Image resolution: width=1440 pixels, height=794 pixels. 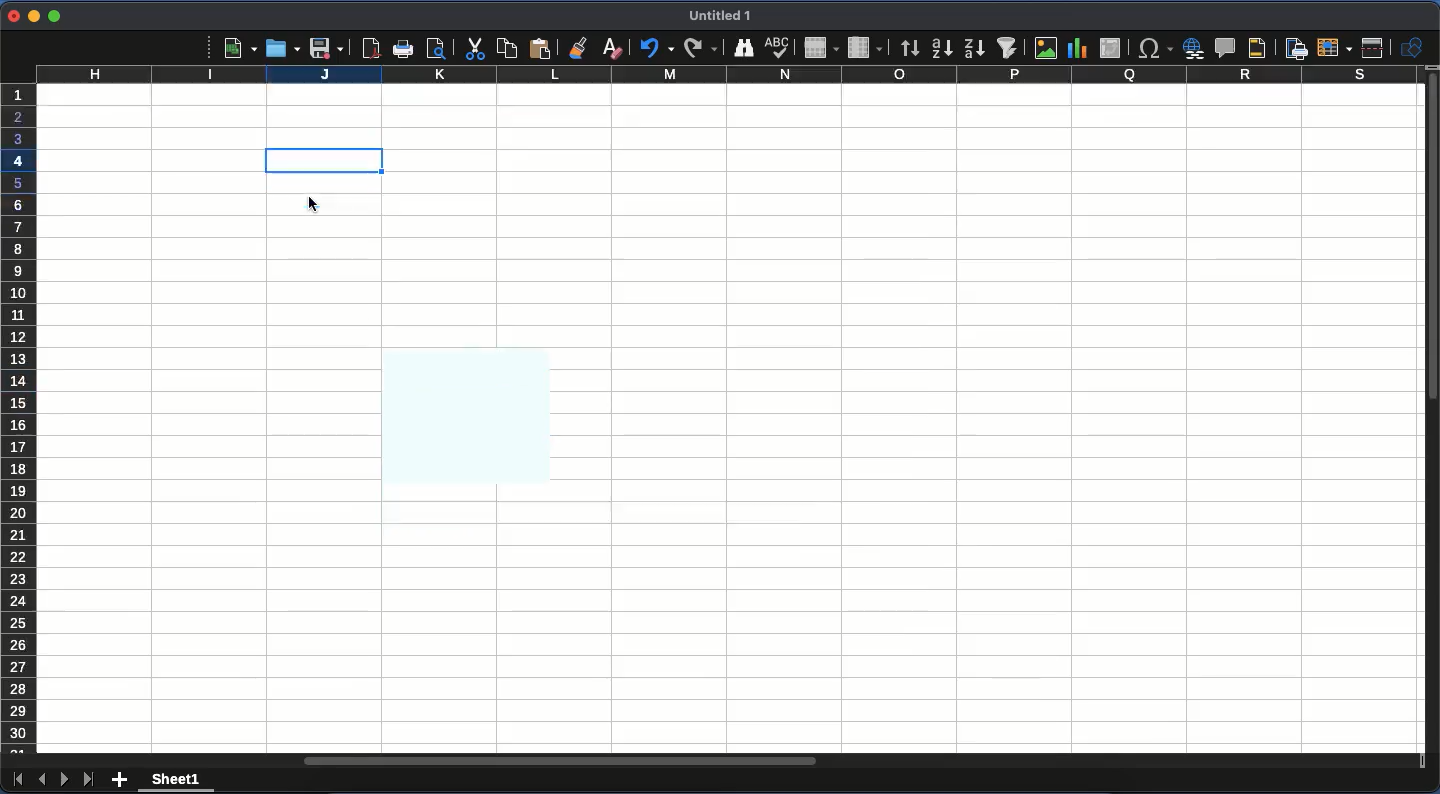 What do you see at coordinates (619, 47) in the screenshot?
I see `clear formatting` at bounding box center [619, 47].